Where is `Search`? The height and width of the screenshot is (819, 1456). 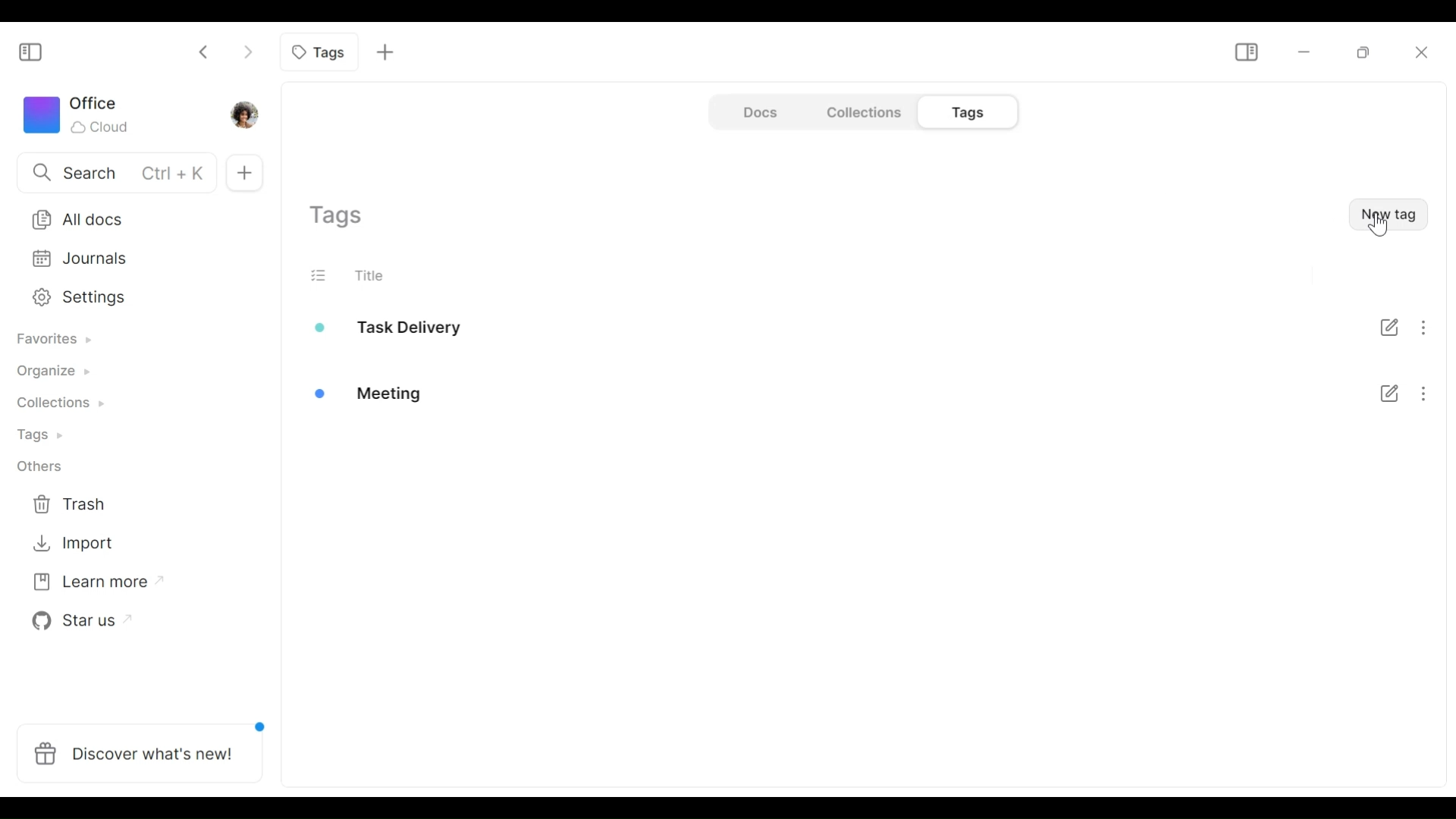
Search is located at coordinates (110, 174).